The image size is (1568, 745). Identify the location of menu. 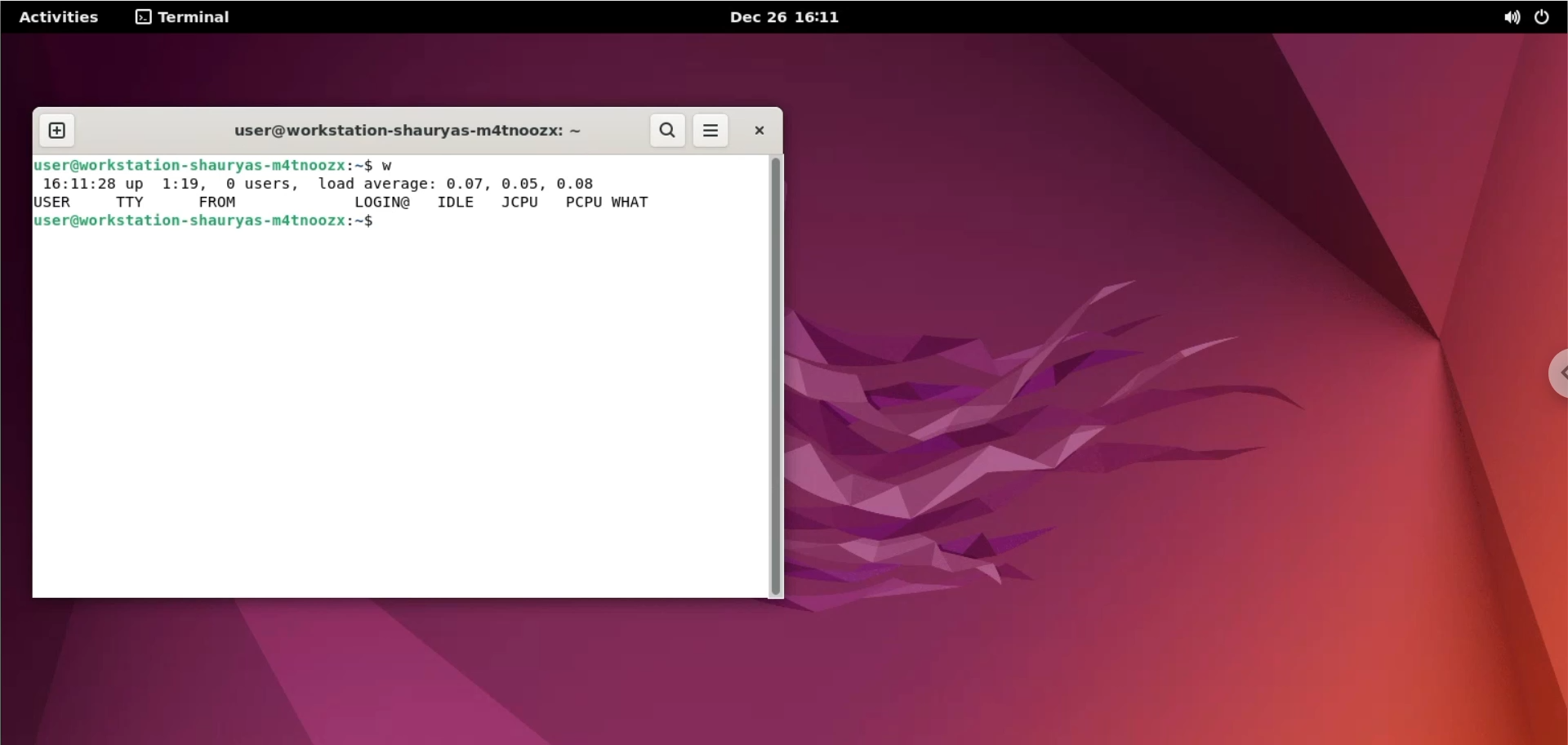
(710, 131).